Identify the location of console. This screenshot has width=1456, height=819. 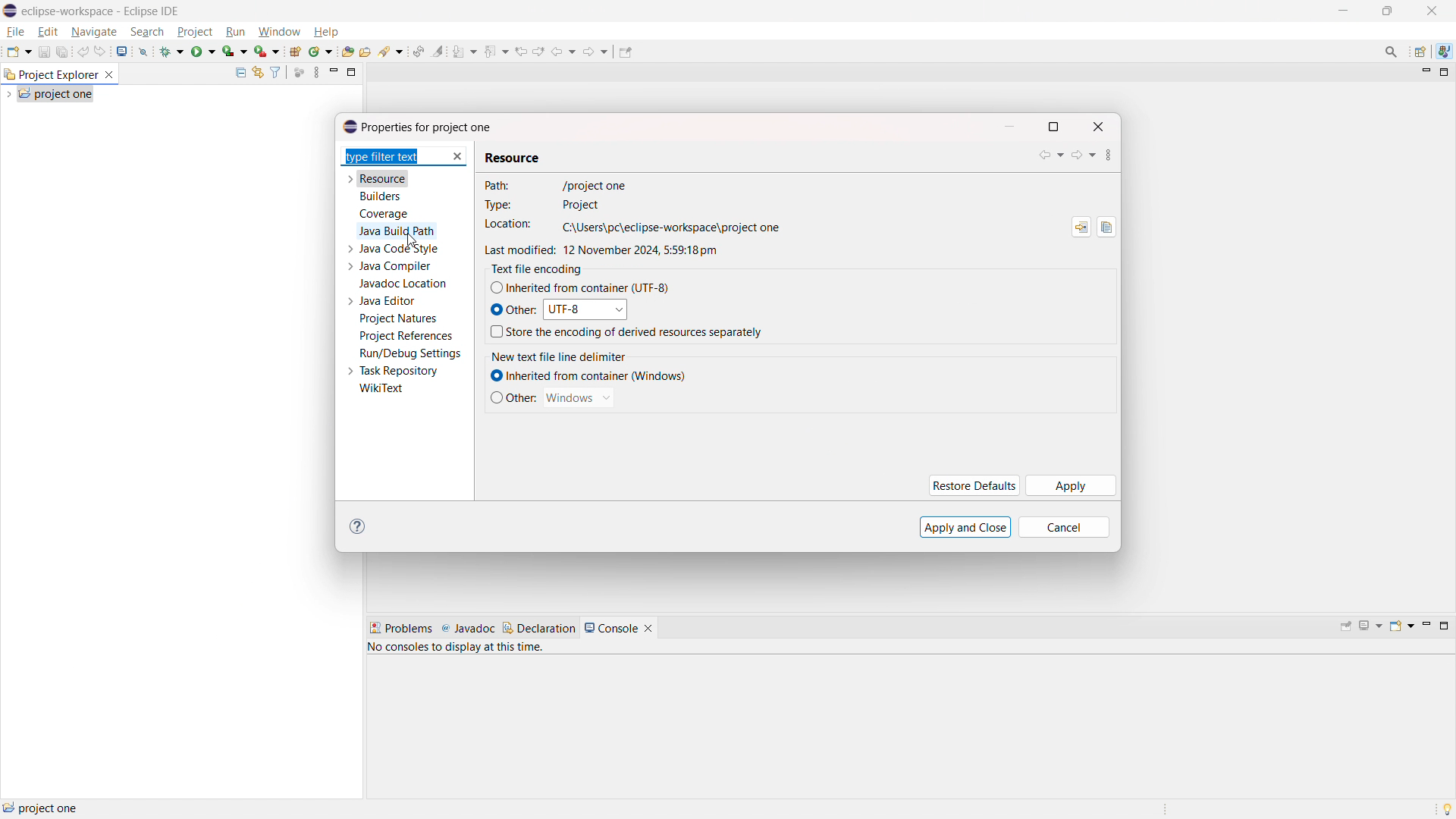
(611, 628).